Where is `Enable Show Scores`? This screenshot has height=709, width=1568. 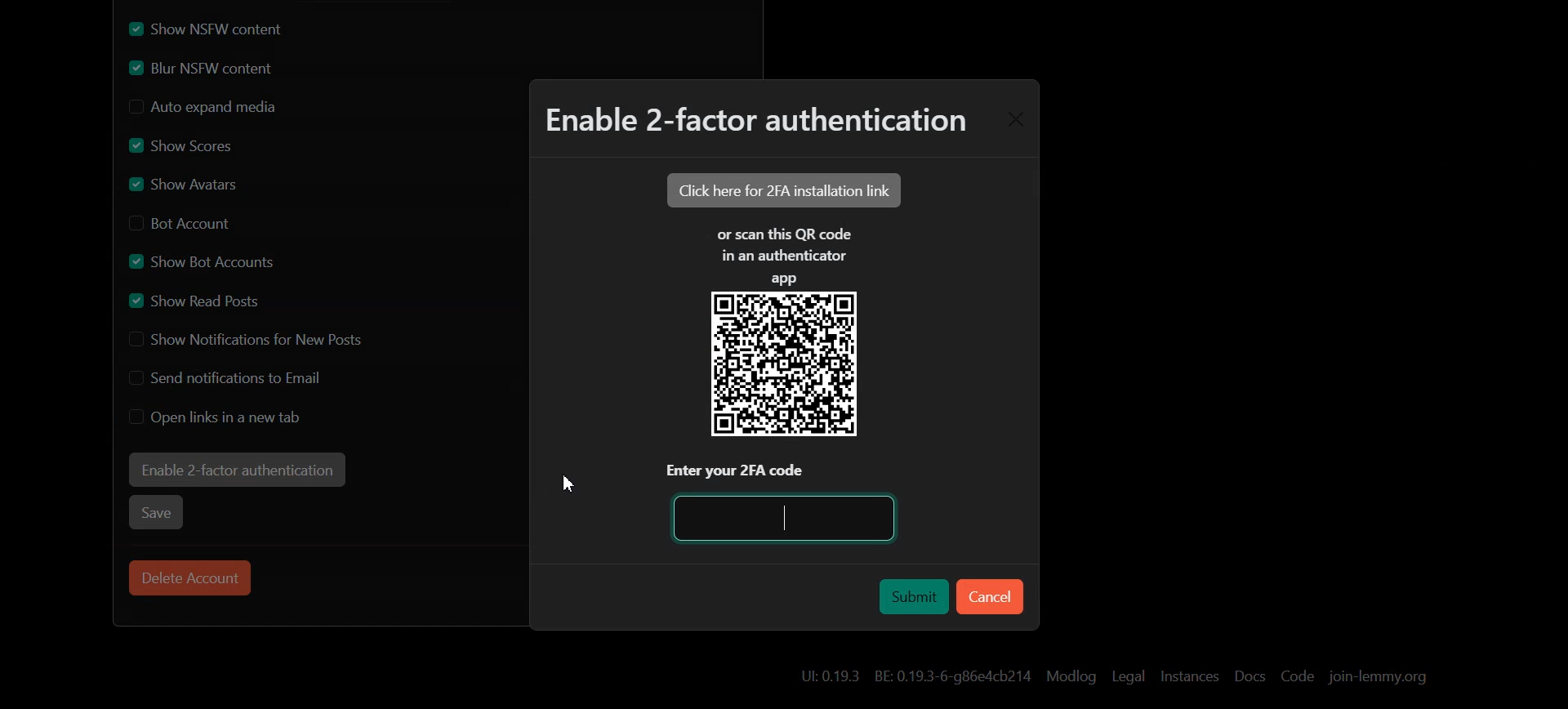
Enable Show Scores is located at coordinates (181, 145).